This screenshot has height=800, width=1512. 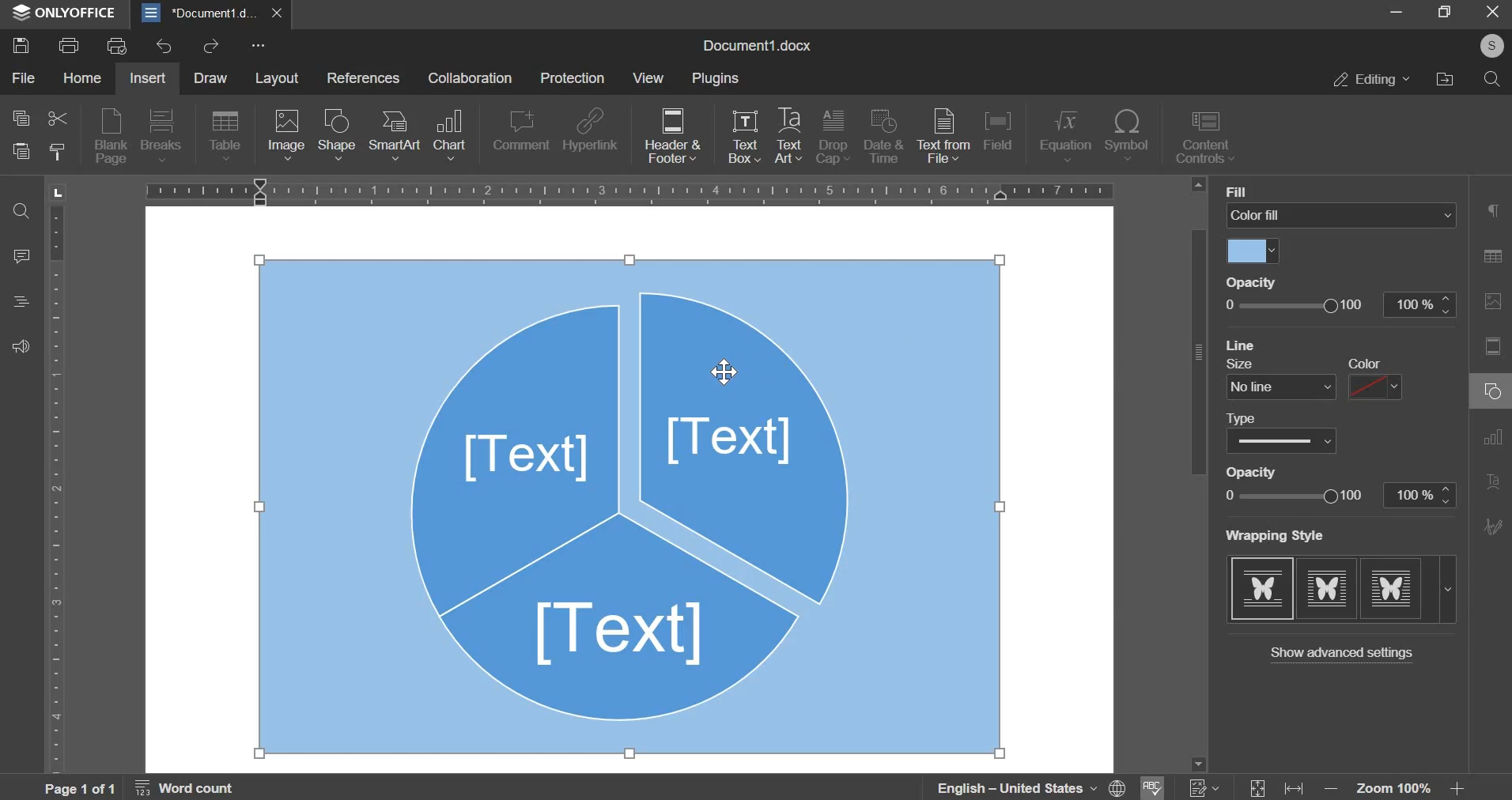 I want to click on protection, so click(x=571, y=77).